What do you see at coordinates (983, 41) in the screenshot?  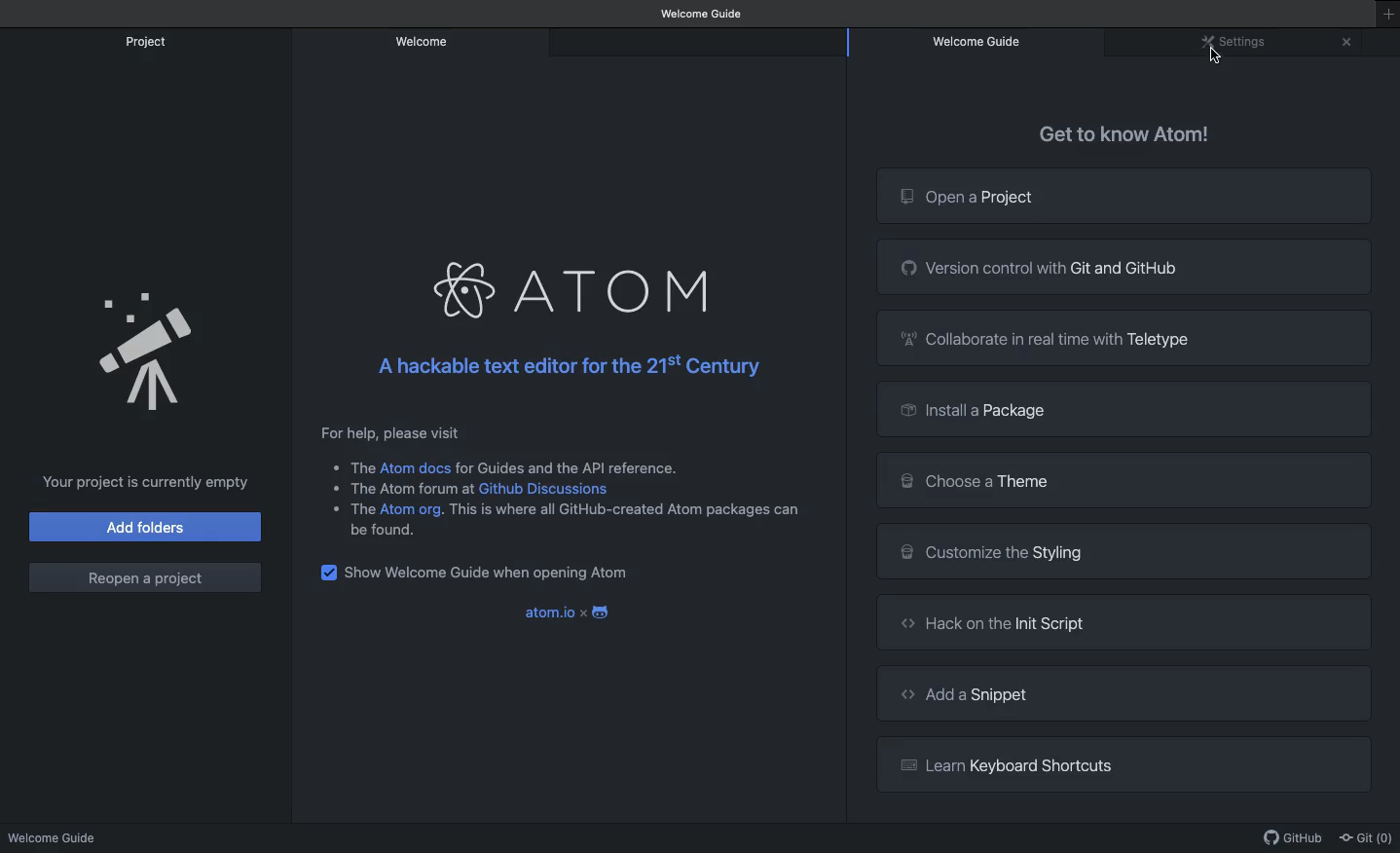 I see `Welcome guide` at bounding box center [983, 41].